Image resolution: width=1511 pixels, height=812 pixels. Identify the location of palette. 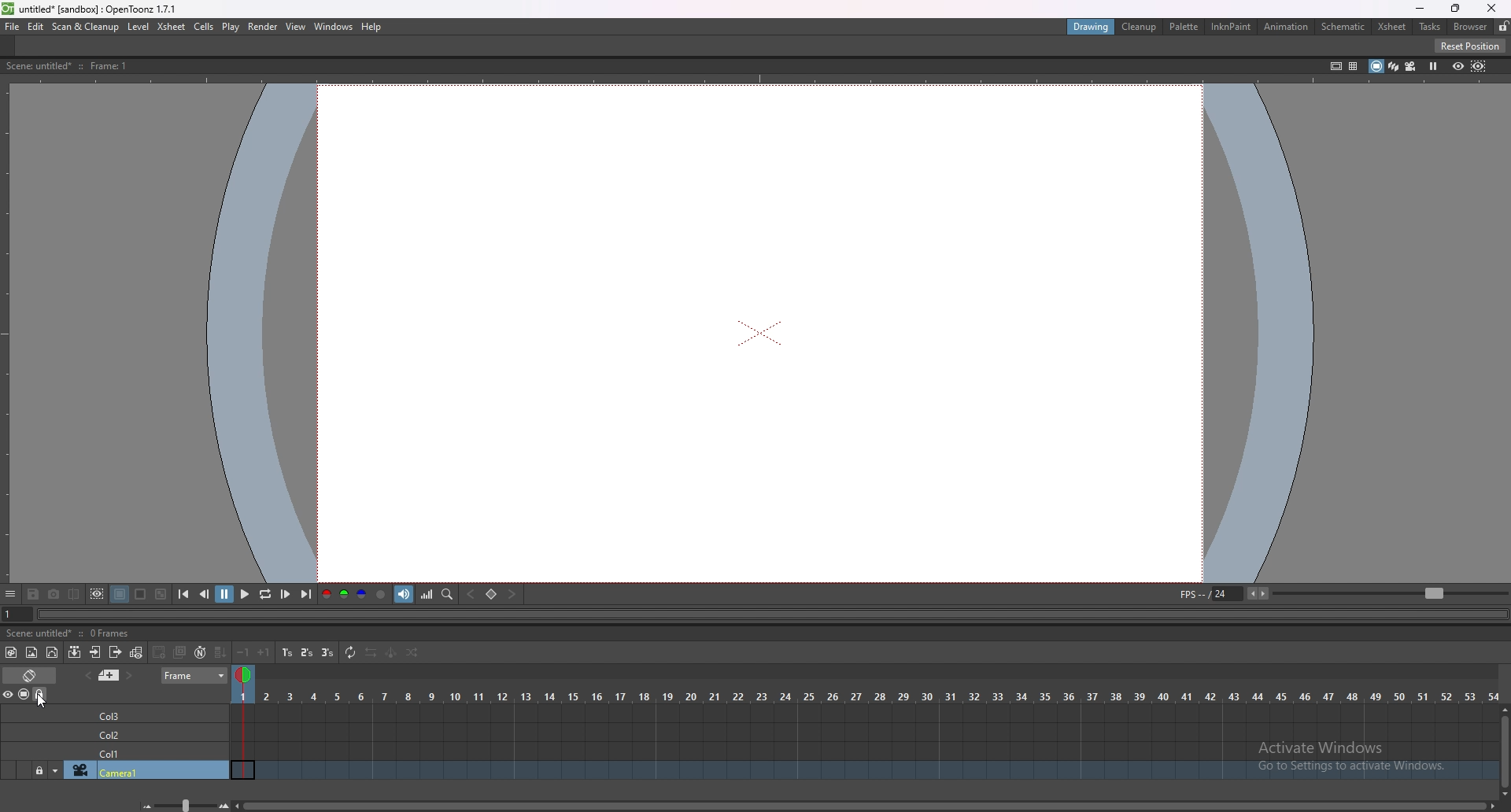
(1184, 26).